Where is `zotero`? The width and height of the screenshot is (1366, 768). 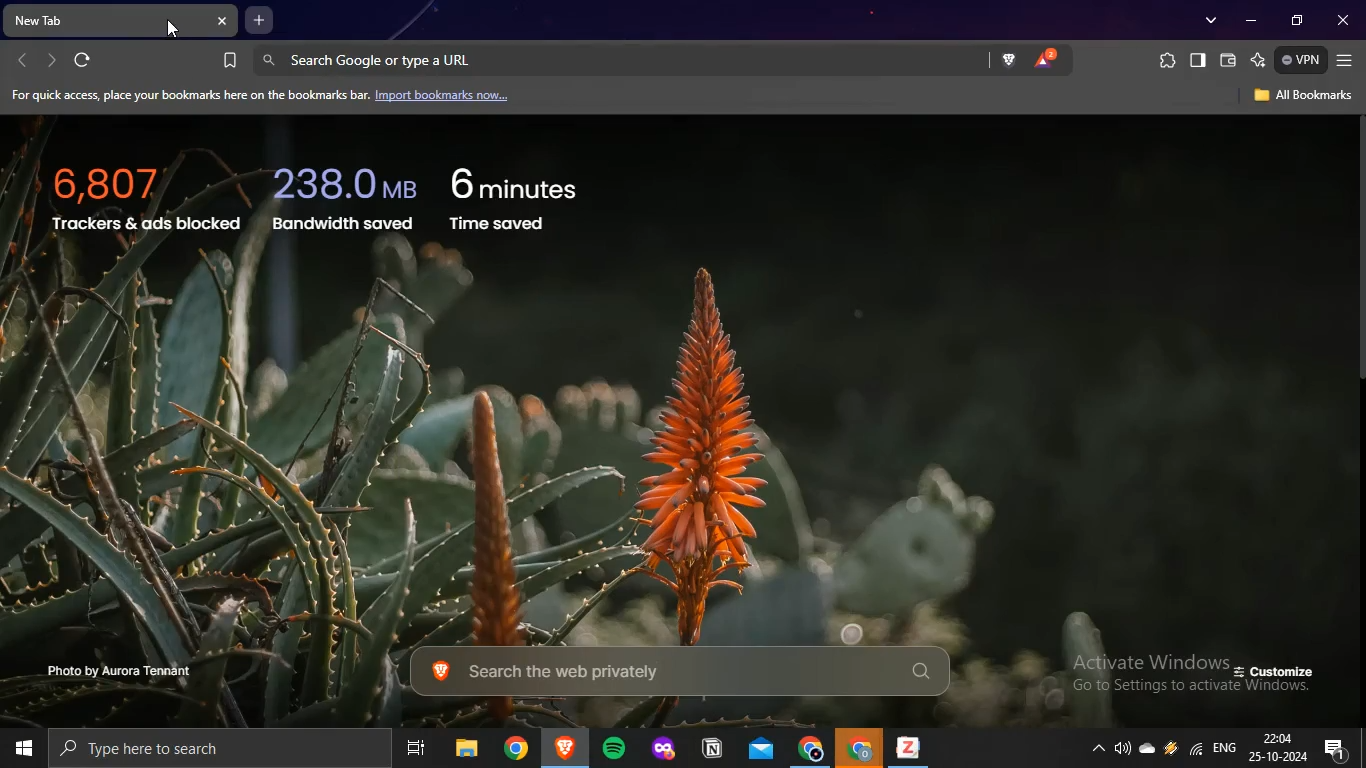 zotero is located at coordinates (910, 749).